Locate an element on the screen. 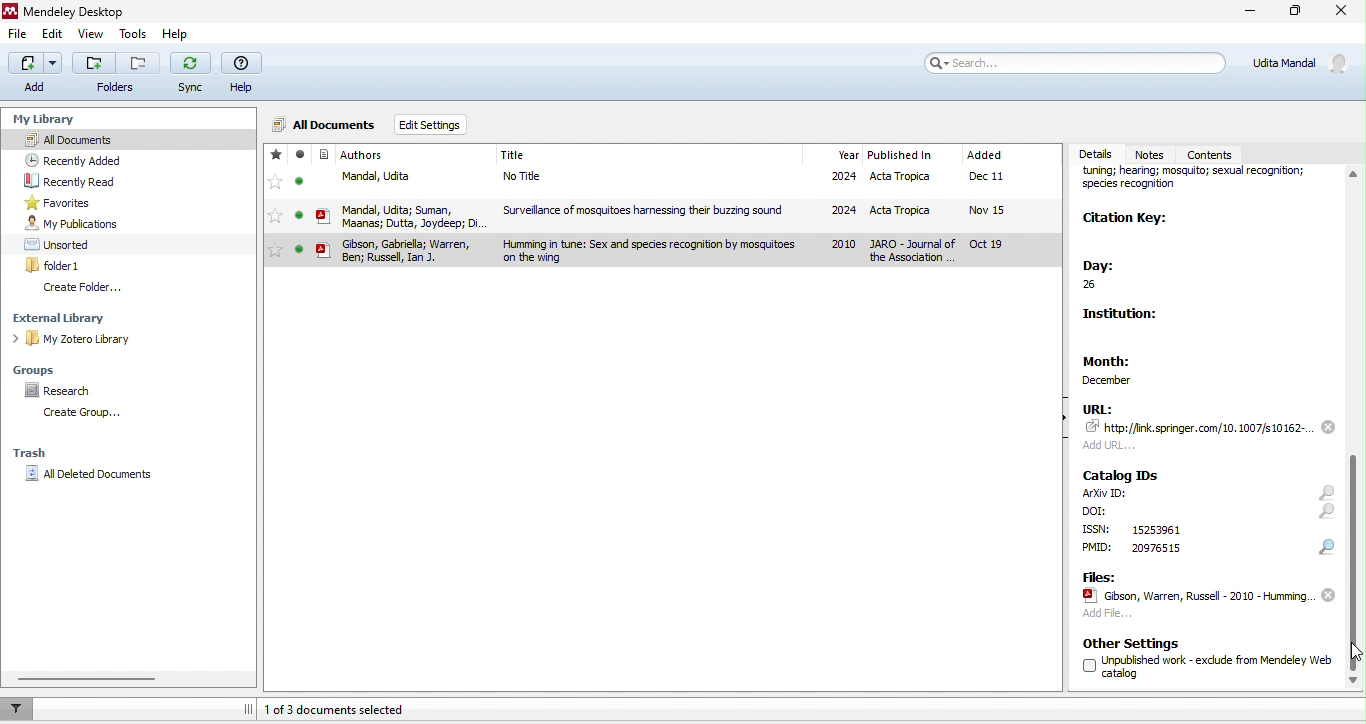  file is located at coordinates (699, 214).